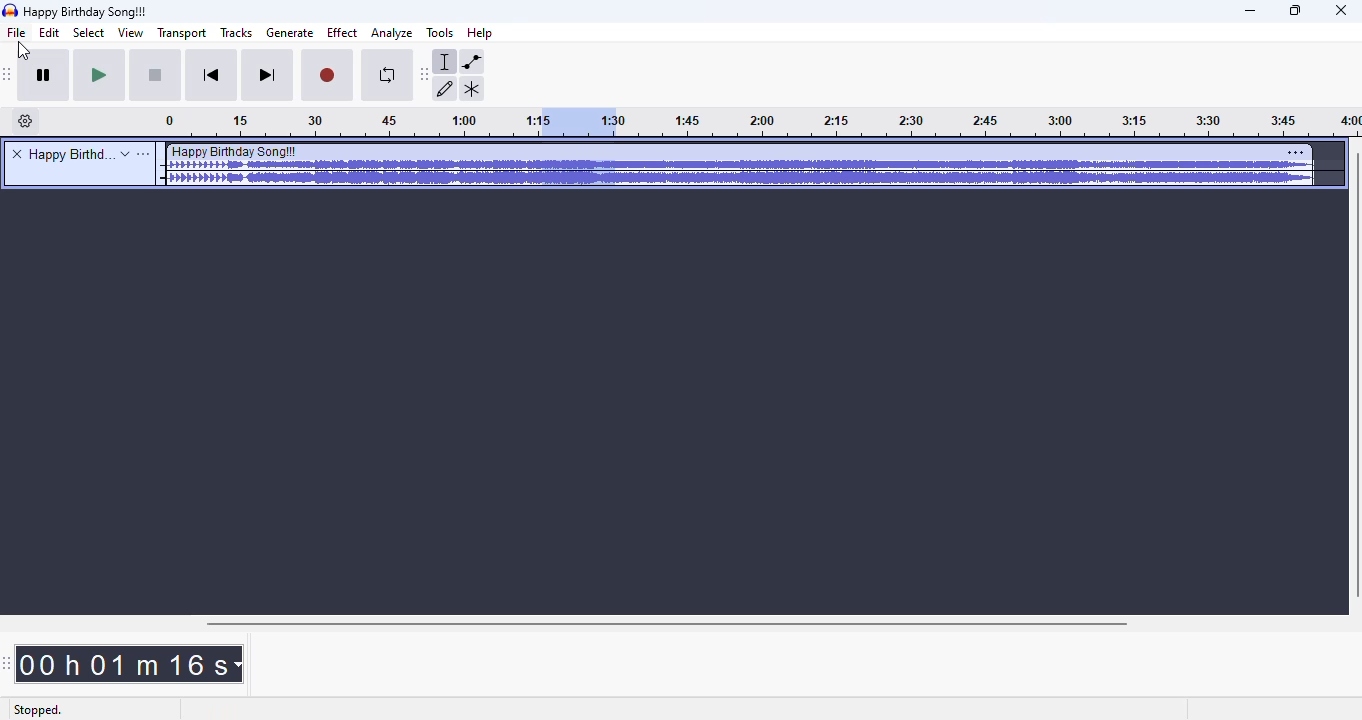 The image size is (1362, 720). Describe the element at coordinates (575, 122) in the screenshot. I see `selected audio` at that location.